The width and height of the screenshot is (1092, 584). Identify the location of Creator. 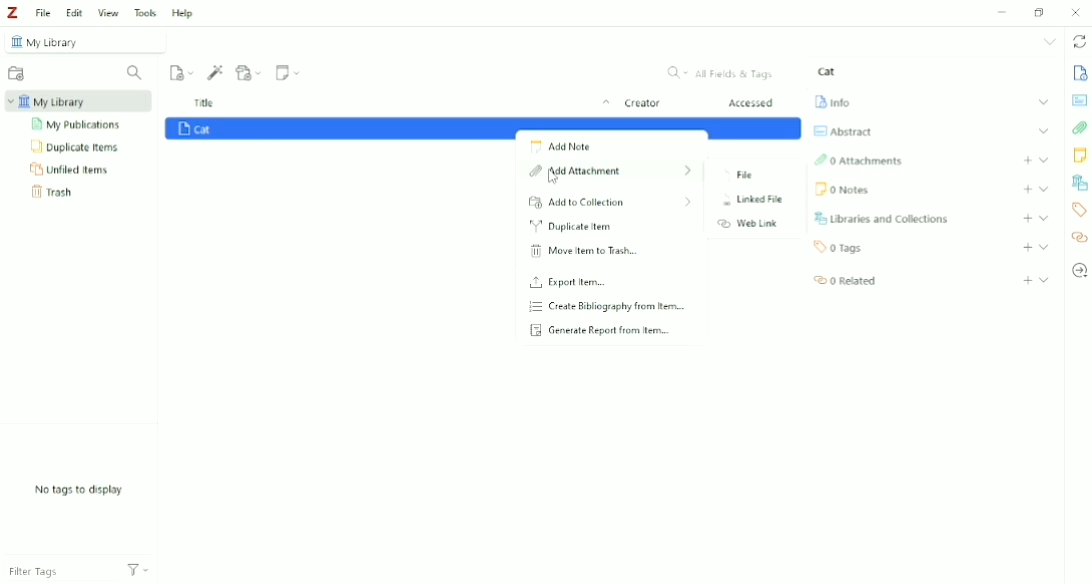
(642, 104).